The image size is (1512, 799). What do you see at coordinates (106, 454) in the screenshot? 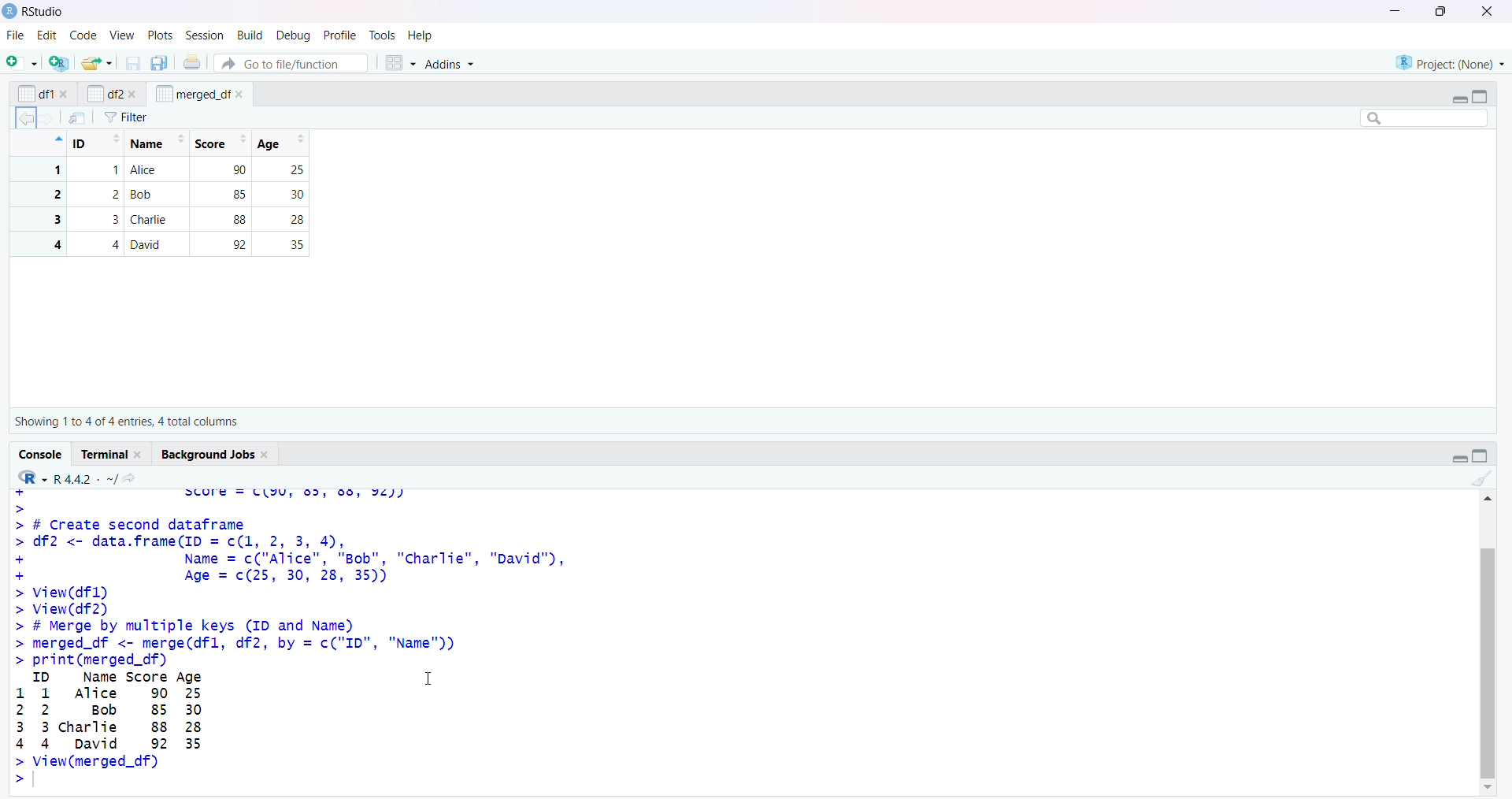
I see `Terminal` at bounding box center [106, 454].